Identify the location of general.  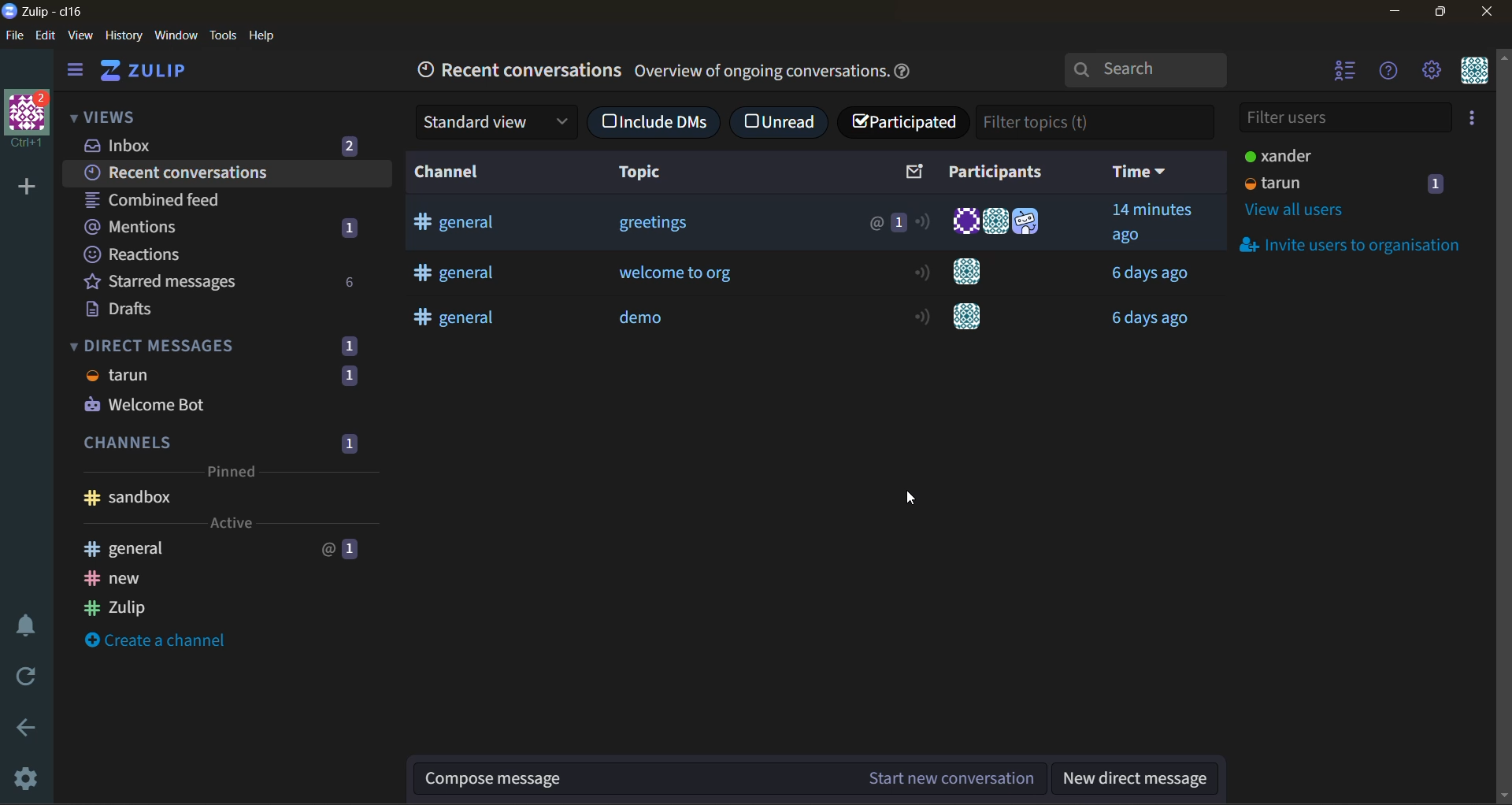
(457, 221).